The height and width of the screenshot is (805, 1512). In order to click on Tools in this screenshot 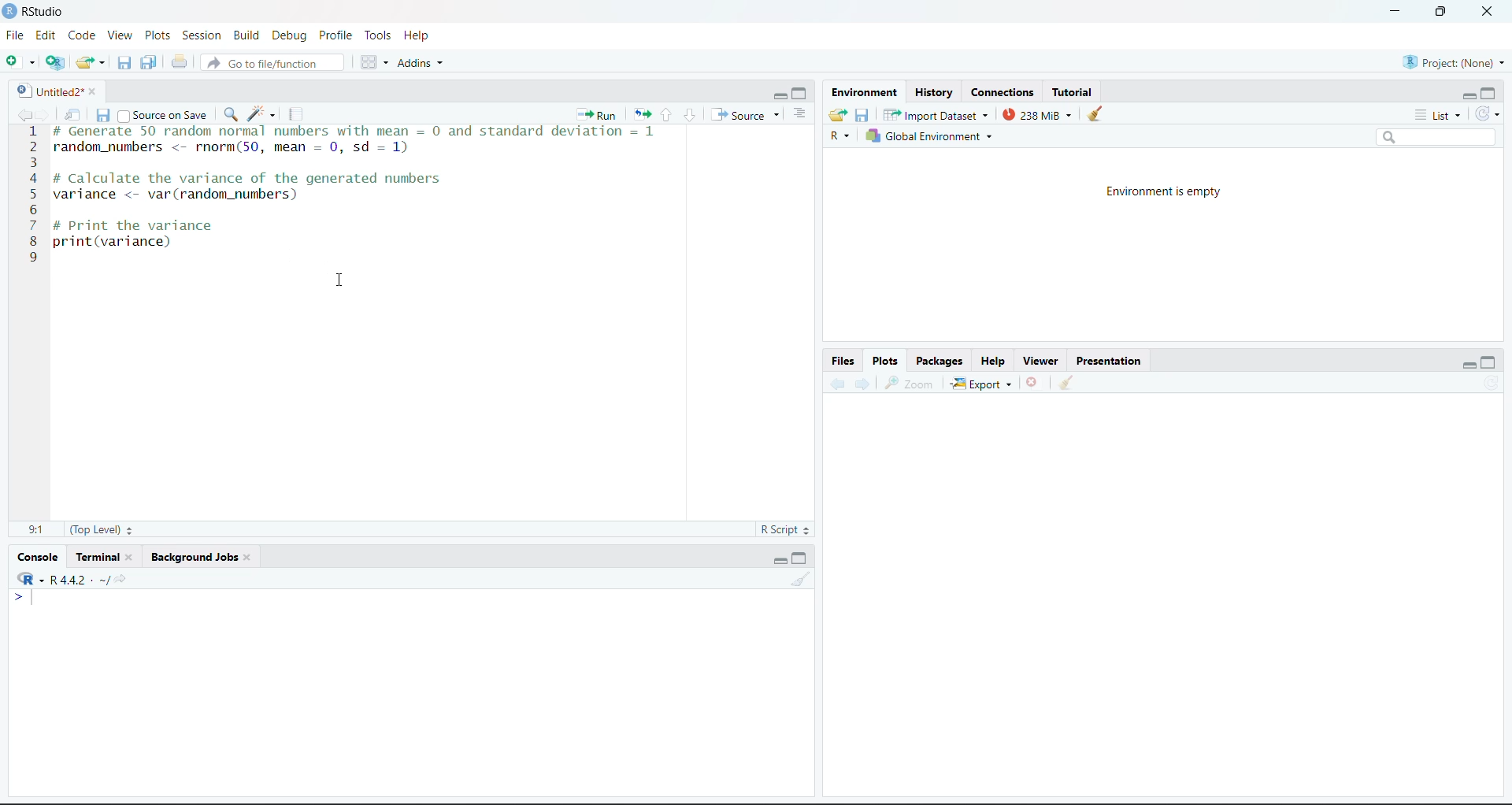, I will do `click(380, 35)`.